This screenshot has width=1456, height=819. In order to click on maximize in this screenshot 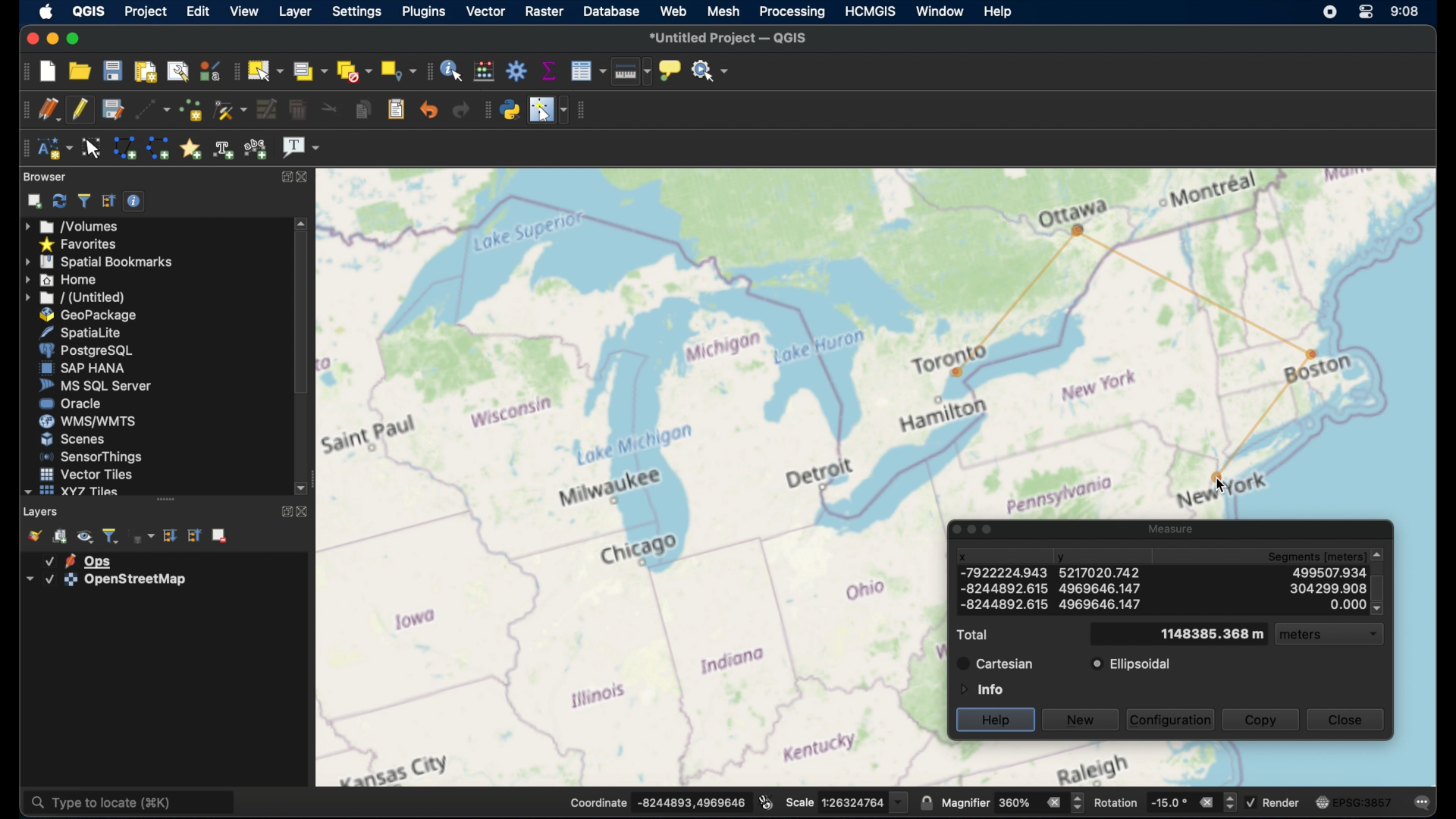, I will do `click(991, 531)`.